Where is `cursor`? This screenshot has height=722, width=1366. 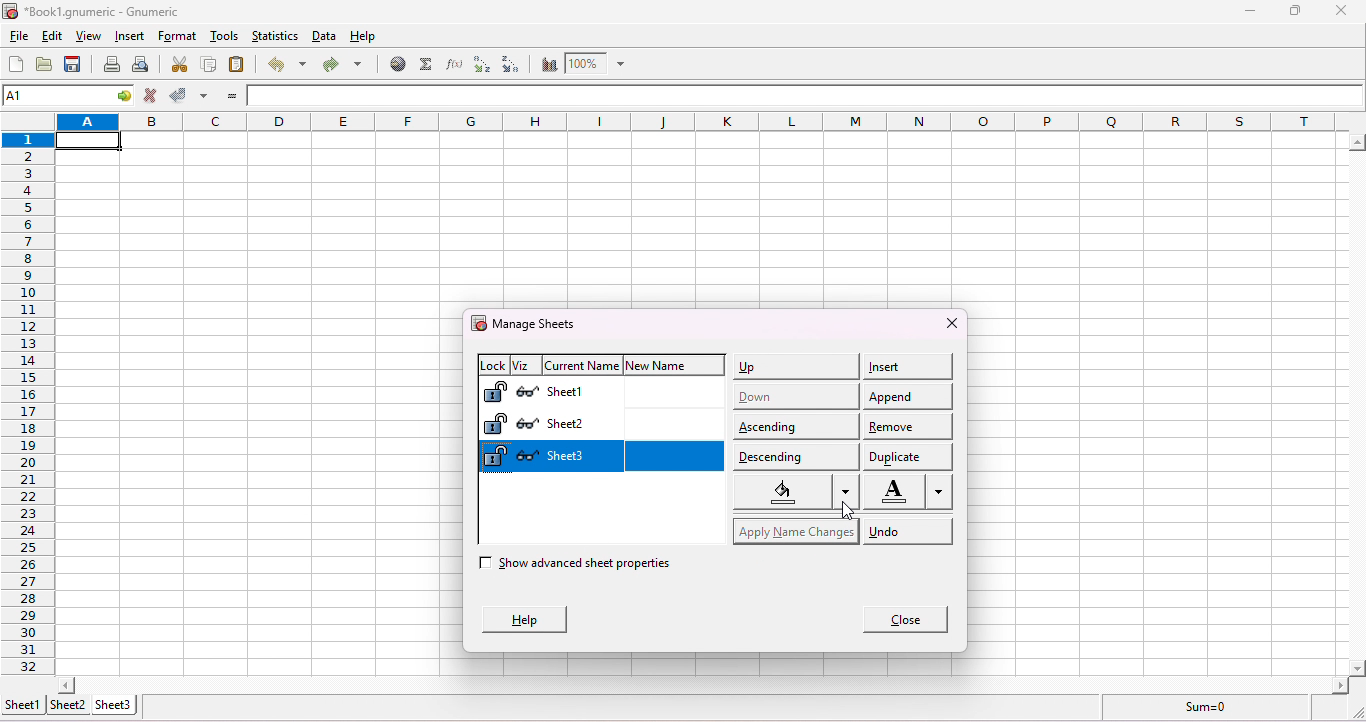 cursor is located at coordinates (839, 496).